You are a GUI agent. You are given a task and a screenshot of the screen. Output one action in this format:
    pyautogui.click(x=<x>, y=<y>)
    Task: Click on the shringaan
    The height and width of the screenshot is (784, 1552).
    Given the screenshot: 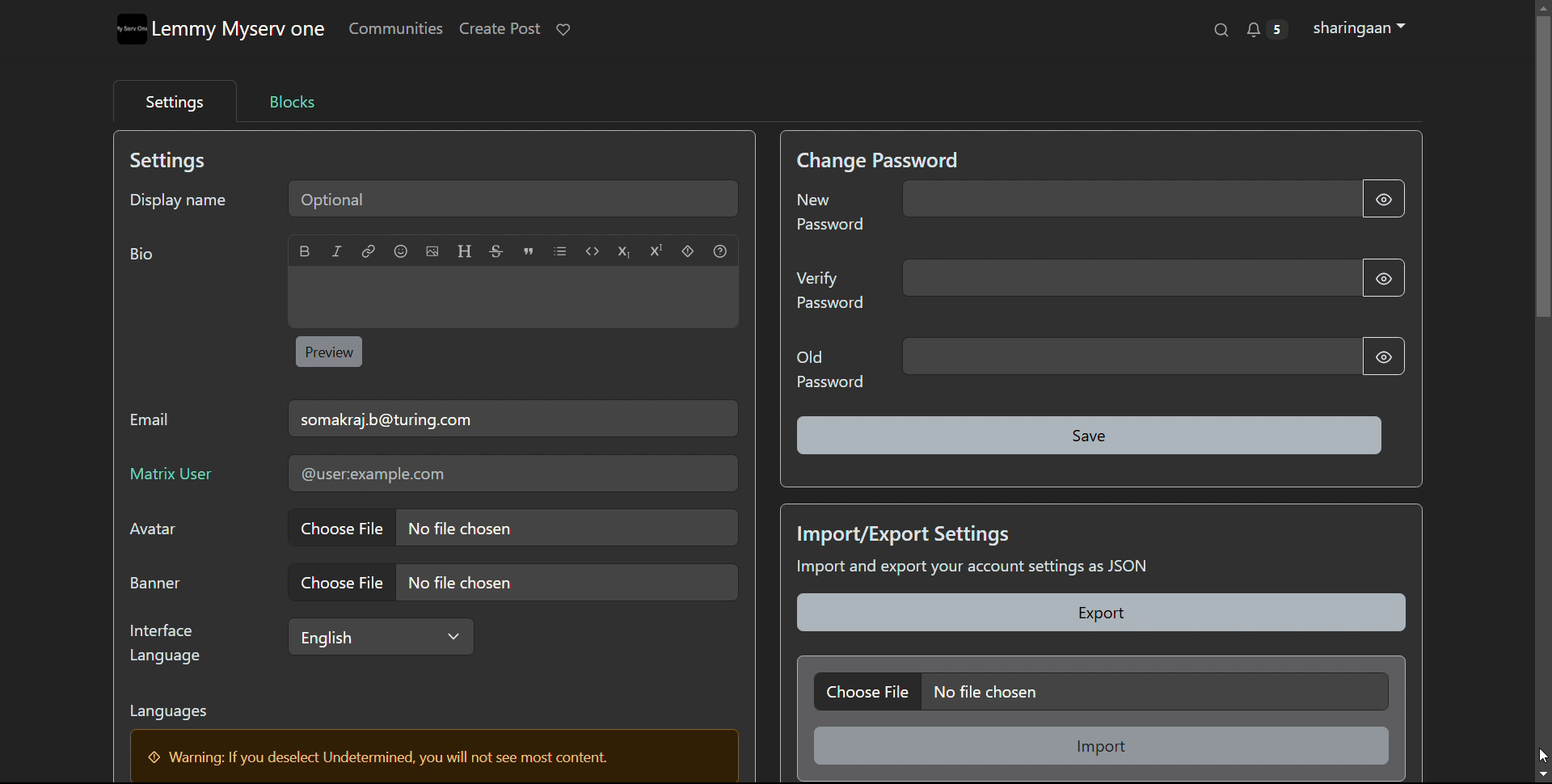 What is the action you would take?
    pyautogui.click(x=1360, y=28)
    